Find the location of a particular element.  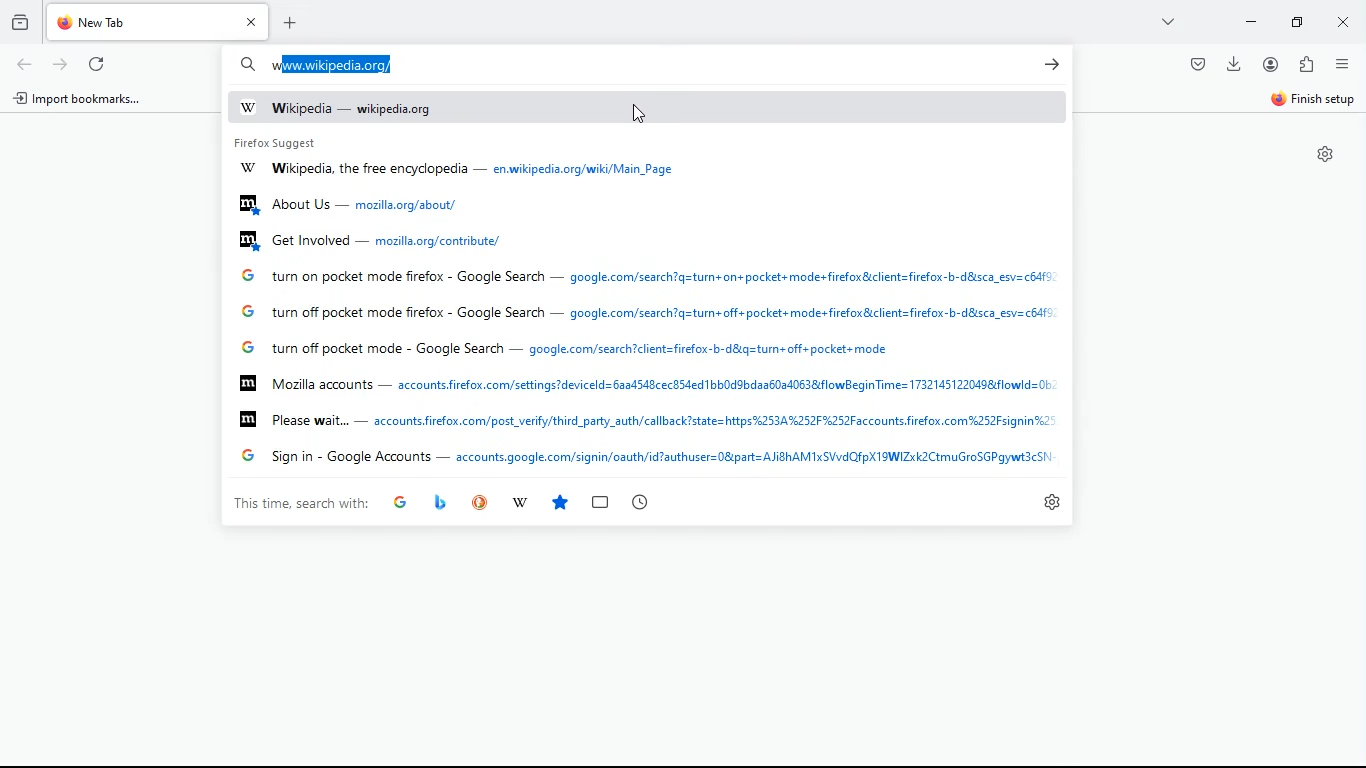

forward is located at coordinates (63, 63).